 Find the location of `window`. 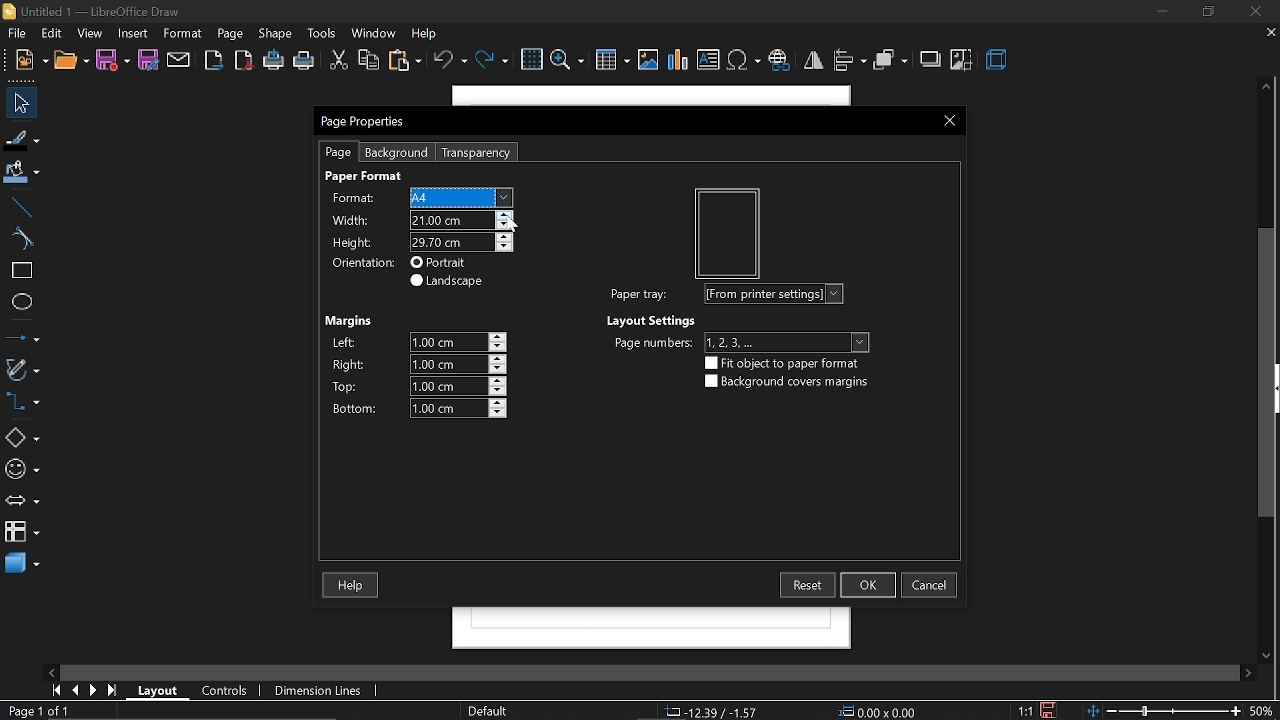

window is located at coordinates (372, 35).